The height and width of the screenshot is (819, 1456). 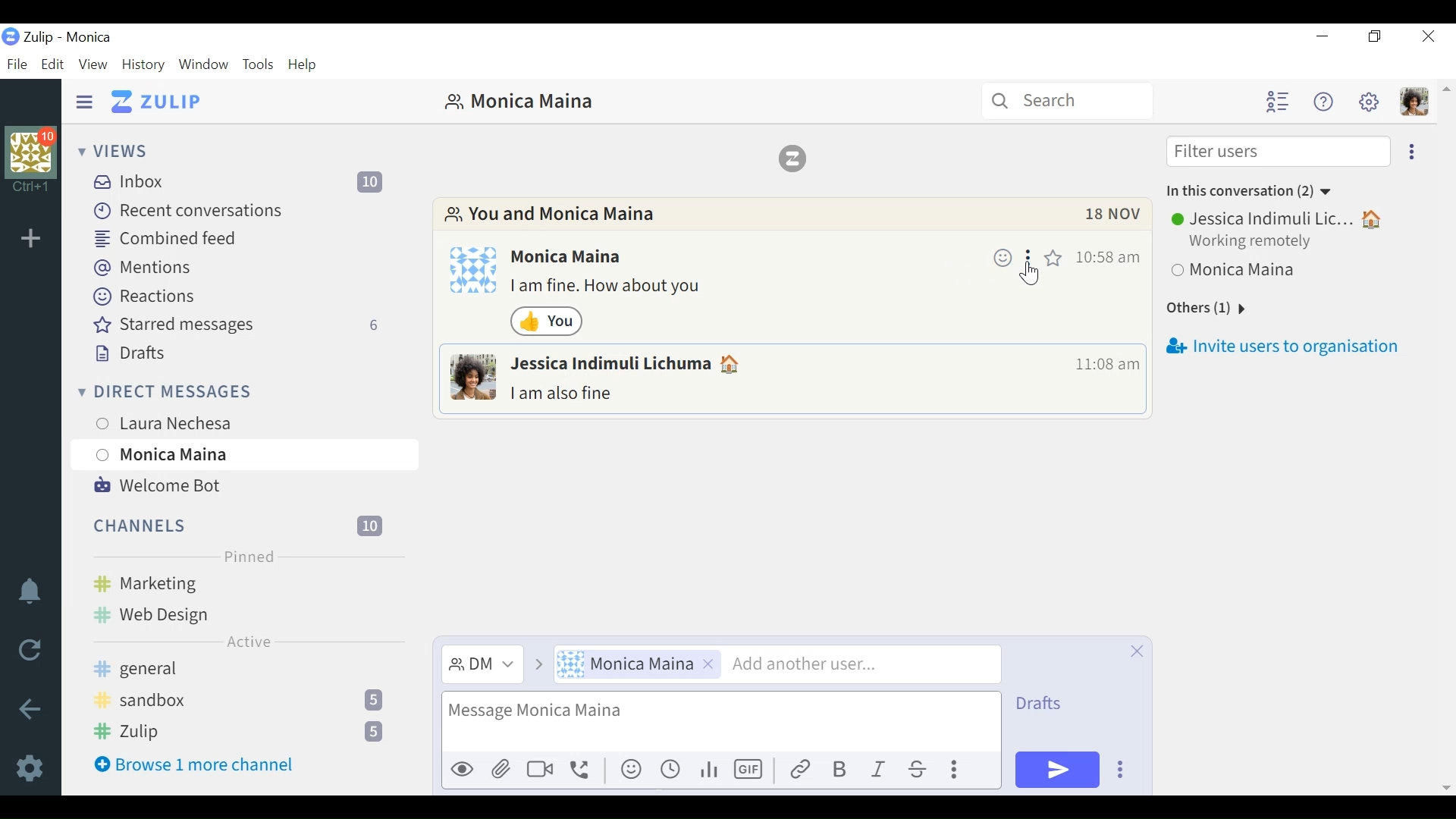 I want to click on Views, so click(x=116, y=152).